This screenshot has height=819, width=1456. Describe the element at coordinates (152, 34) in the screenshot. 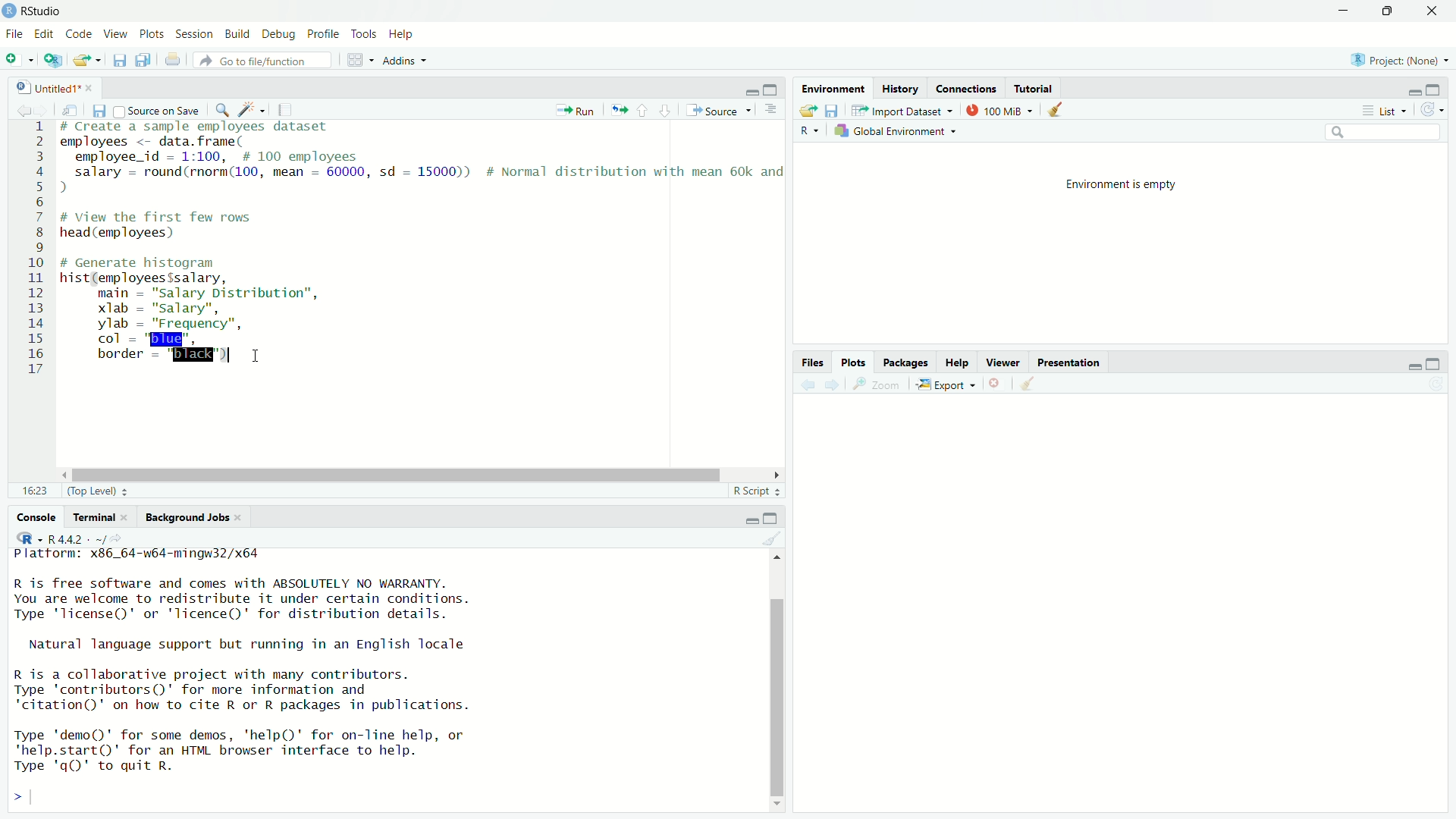

I see `Plots` at that location.